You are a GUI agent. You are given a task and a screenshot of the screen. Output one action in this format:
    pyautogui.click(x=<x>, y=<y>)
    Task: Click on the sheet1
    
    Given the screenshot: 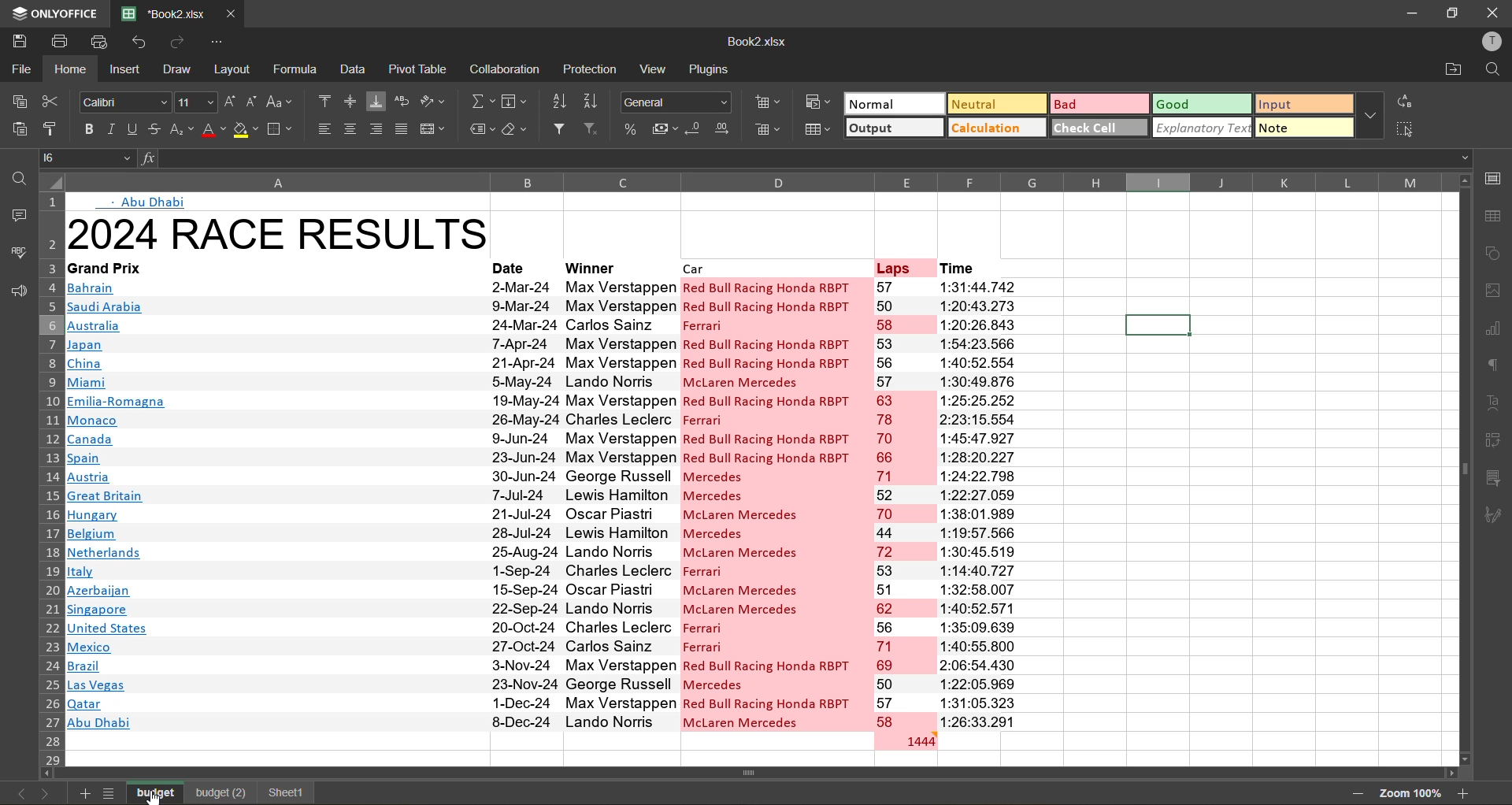 What is the action you would take?
    pyautogui.click(x=283, y=792)
    